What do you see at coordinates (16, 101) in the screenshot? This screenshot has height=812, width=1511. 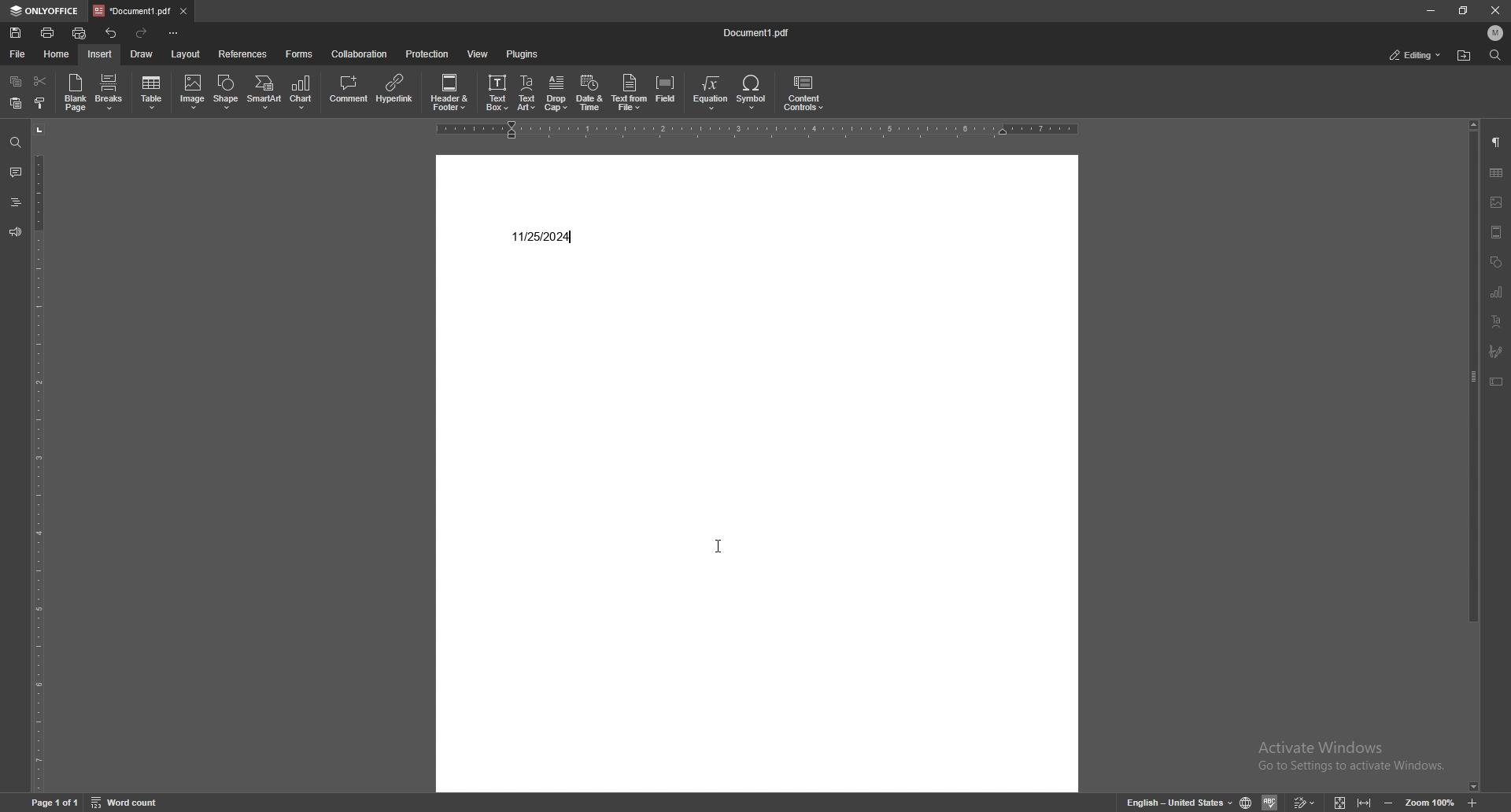 I see `paste` at bounding box center [16, 101].